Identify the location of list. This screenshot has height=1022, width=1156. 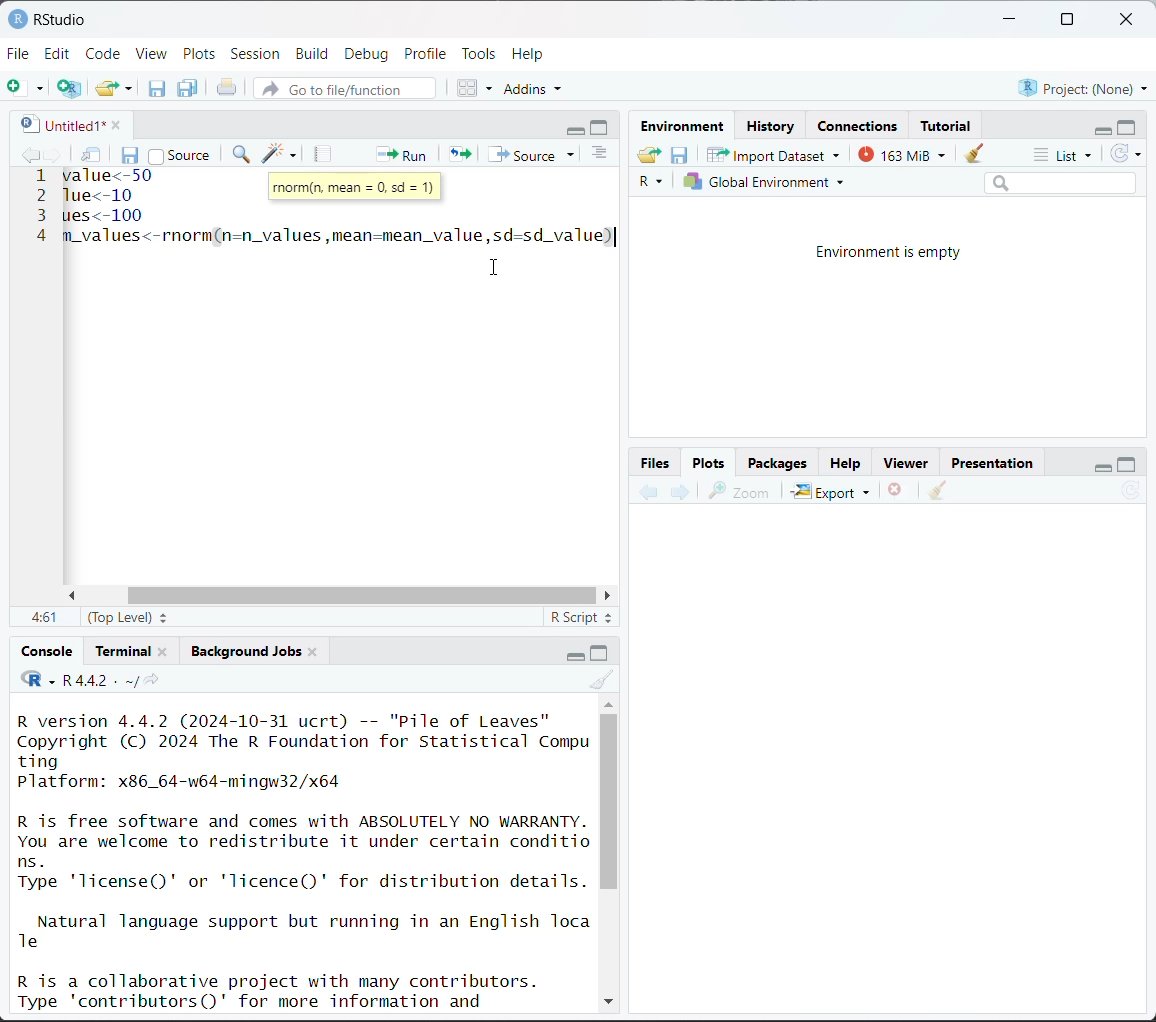
(1066, 156).